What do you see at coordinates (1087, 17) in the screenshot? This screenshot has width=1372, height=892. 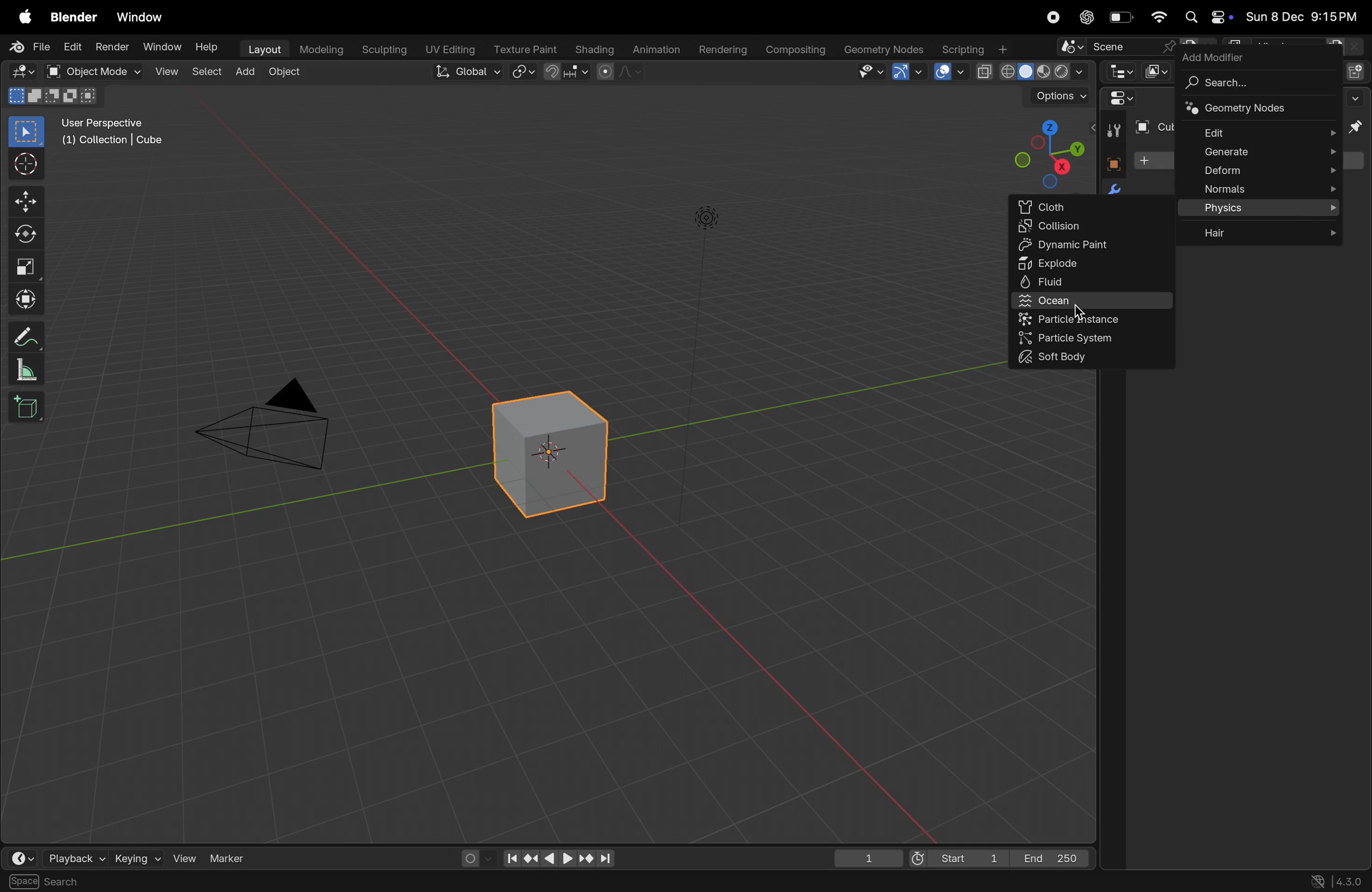 I see `chatgpt` at bounding box center [1087, 17].